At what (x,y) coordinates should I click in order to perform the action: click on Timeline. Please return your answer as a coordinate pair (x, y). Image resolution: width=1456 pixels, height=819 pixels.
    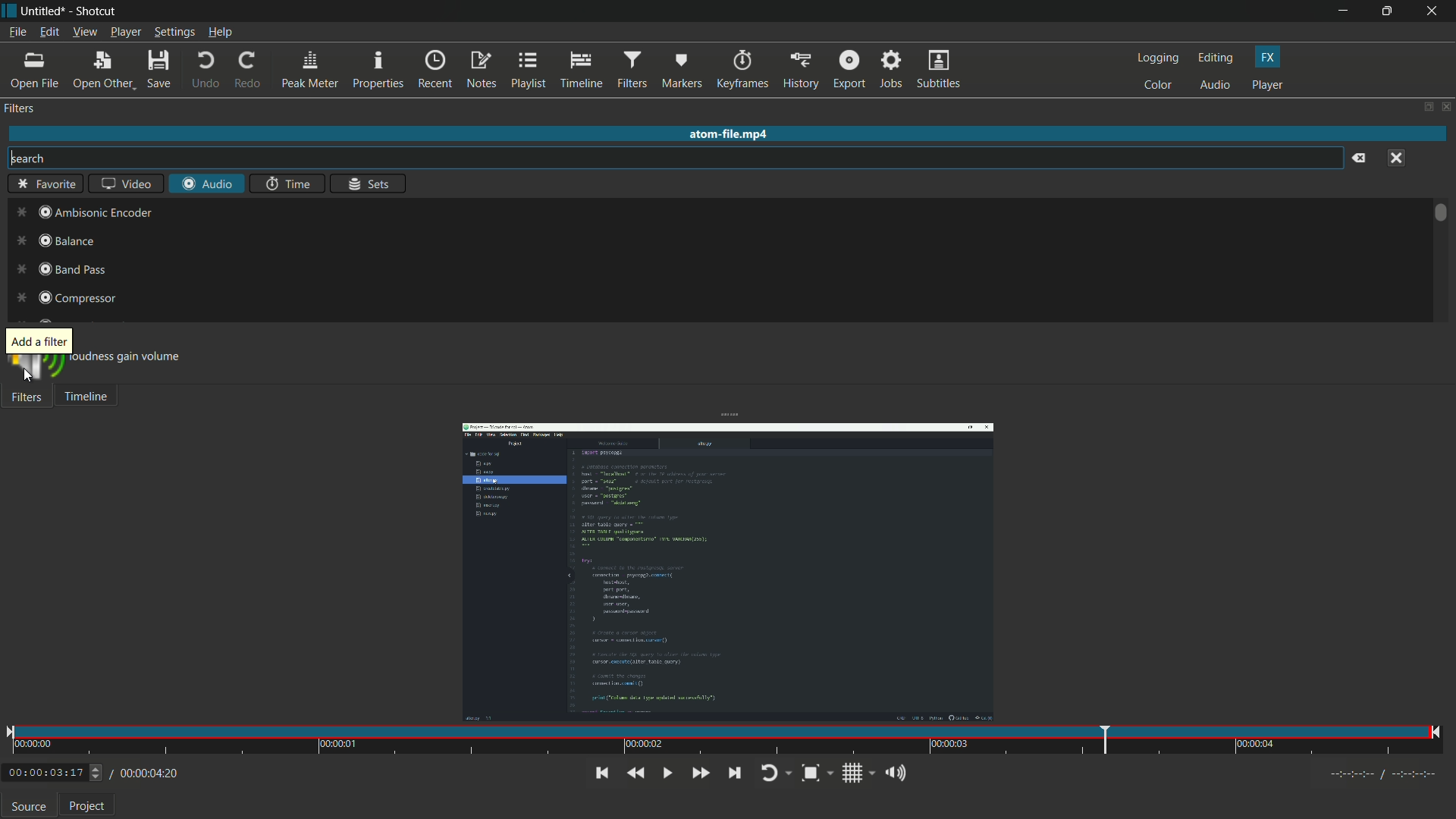
    Looking at the image, I should click on (93, 398).